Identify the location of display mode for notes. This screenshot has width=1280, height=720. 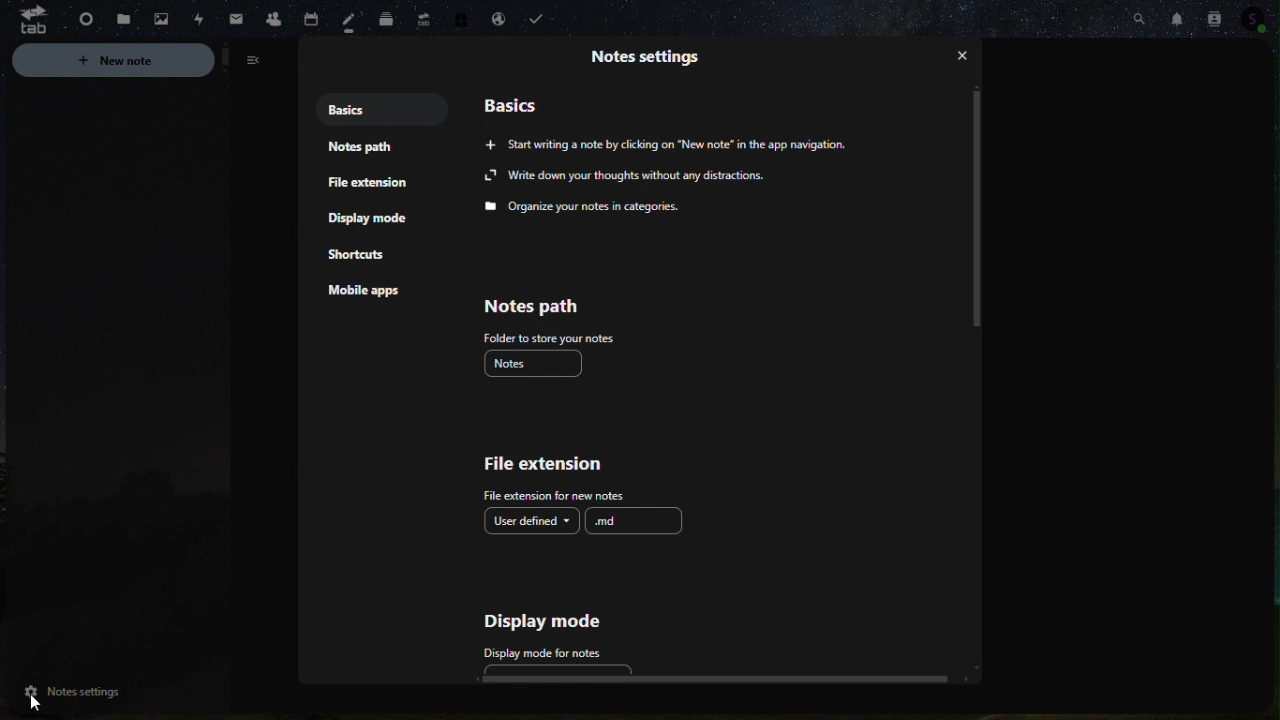
(547, 652).